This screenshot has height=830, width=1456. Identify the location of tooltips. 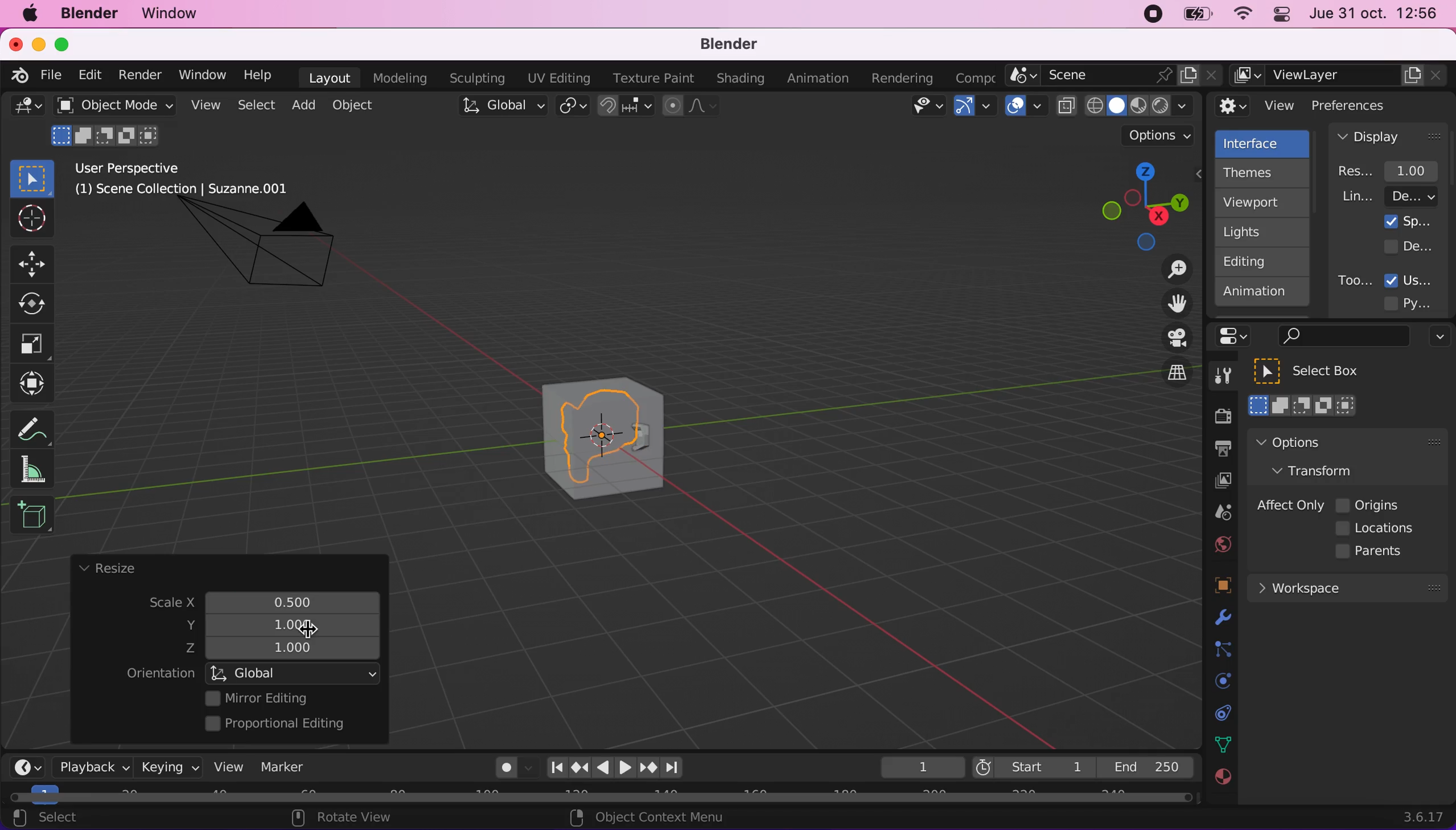
(1354, 280).